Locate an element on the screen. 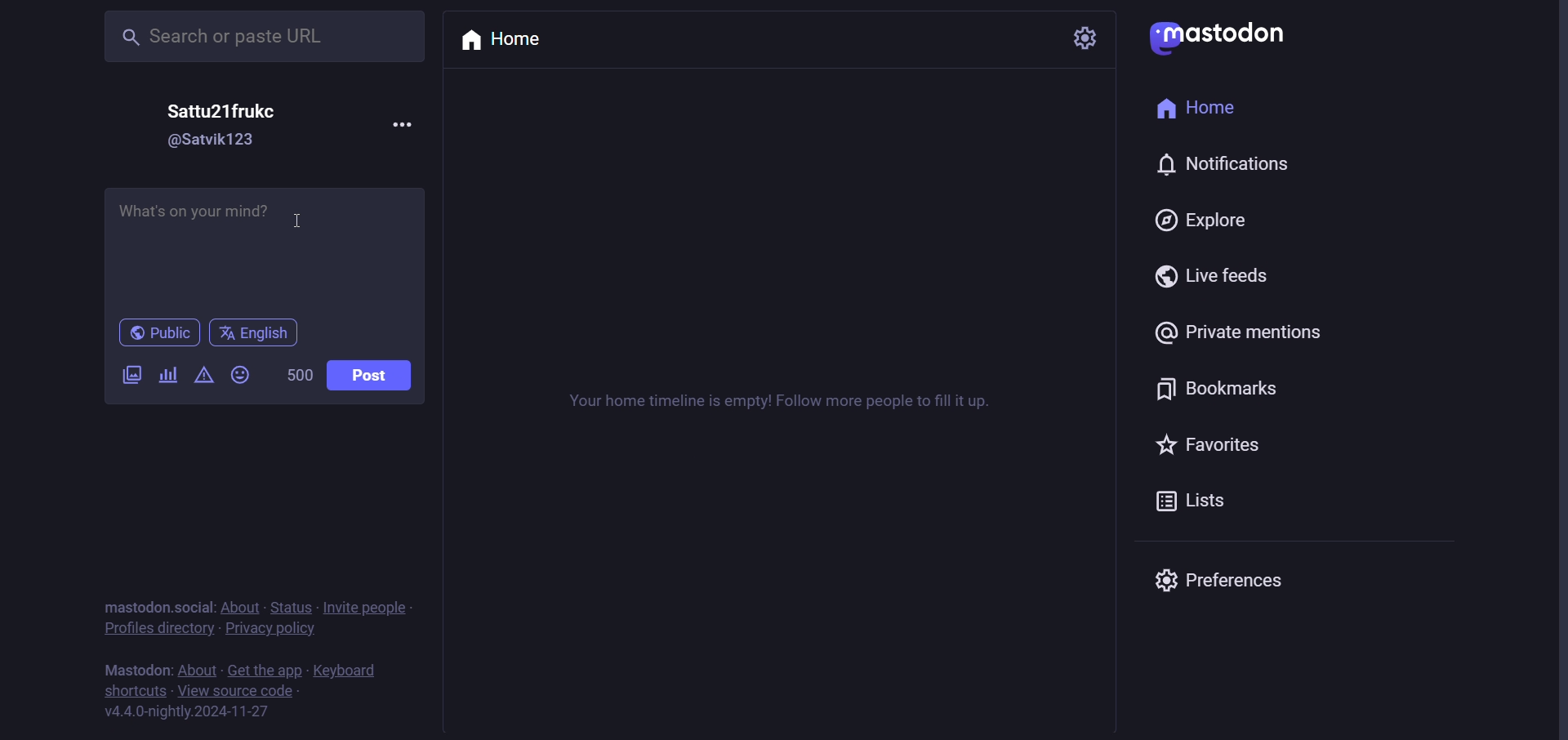 This screenshot has width=1568, height=740. Your home timeline is empty! Follow more people to fill it up. is located at coordinates (777, 401).